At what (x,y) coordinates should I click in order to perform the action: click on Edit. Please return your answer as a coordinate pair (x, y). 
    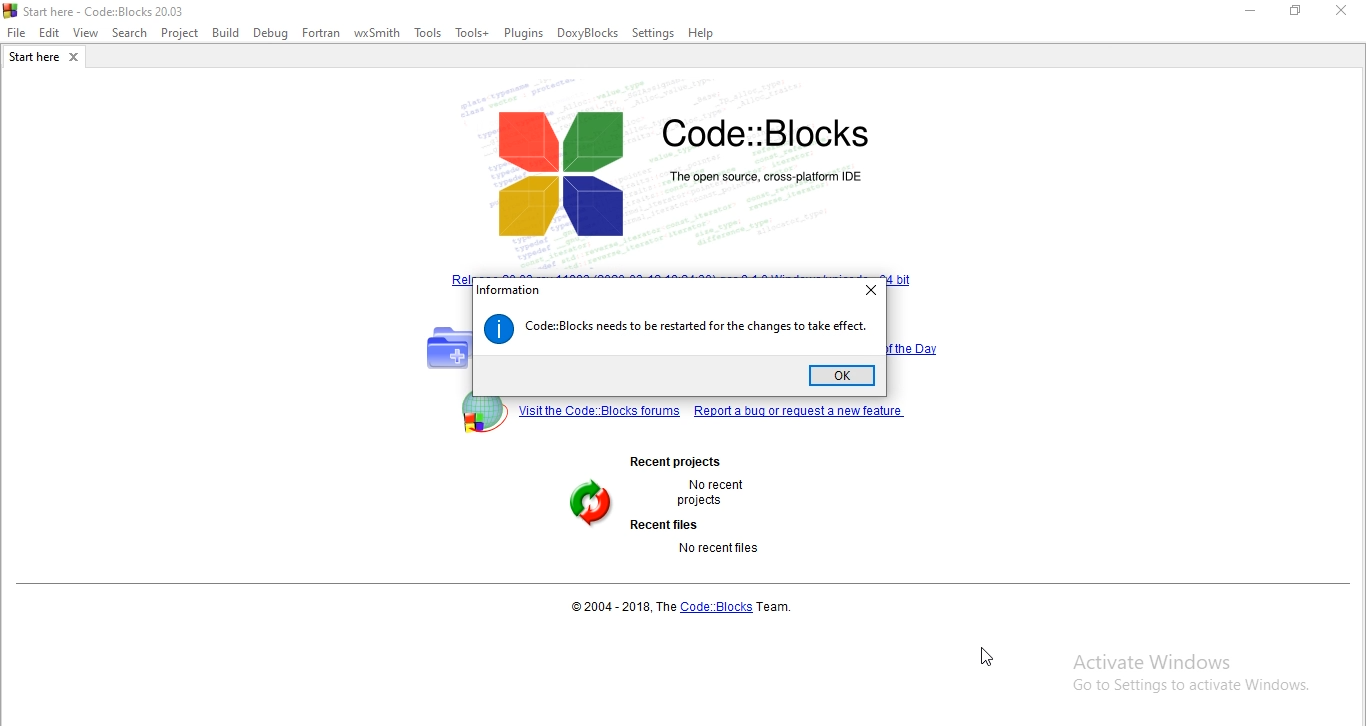
    Looking at the image, I should click on (49, 33).